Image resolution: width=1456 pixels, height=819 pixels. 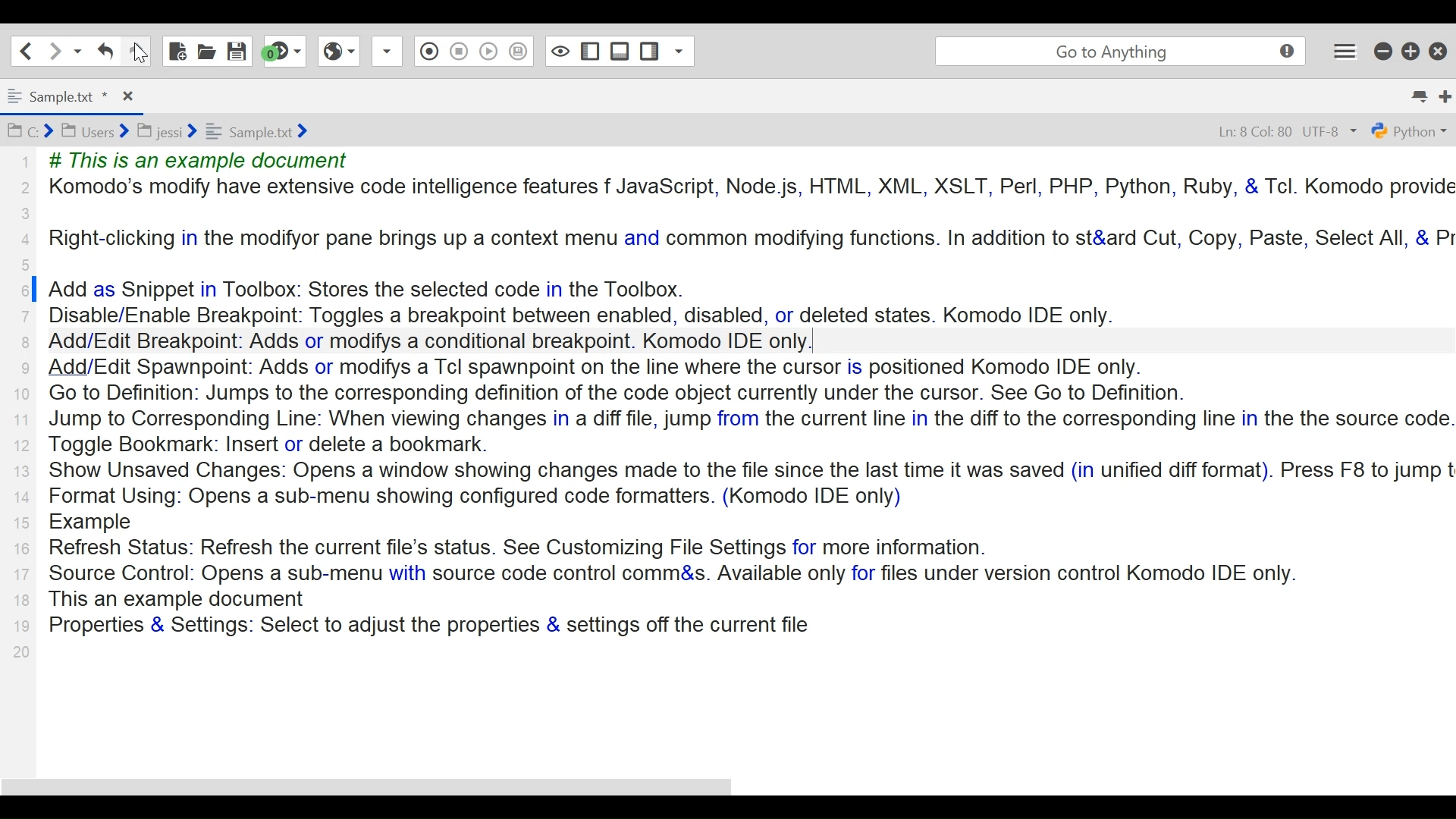 I want to click on C File, so click(x=30, y=130).